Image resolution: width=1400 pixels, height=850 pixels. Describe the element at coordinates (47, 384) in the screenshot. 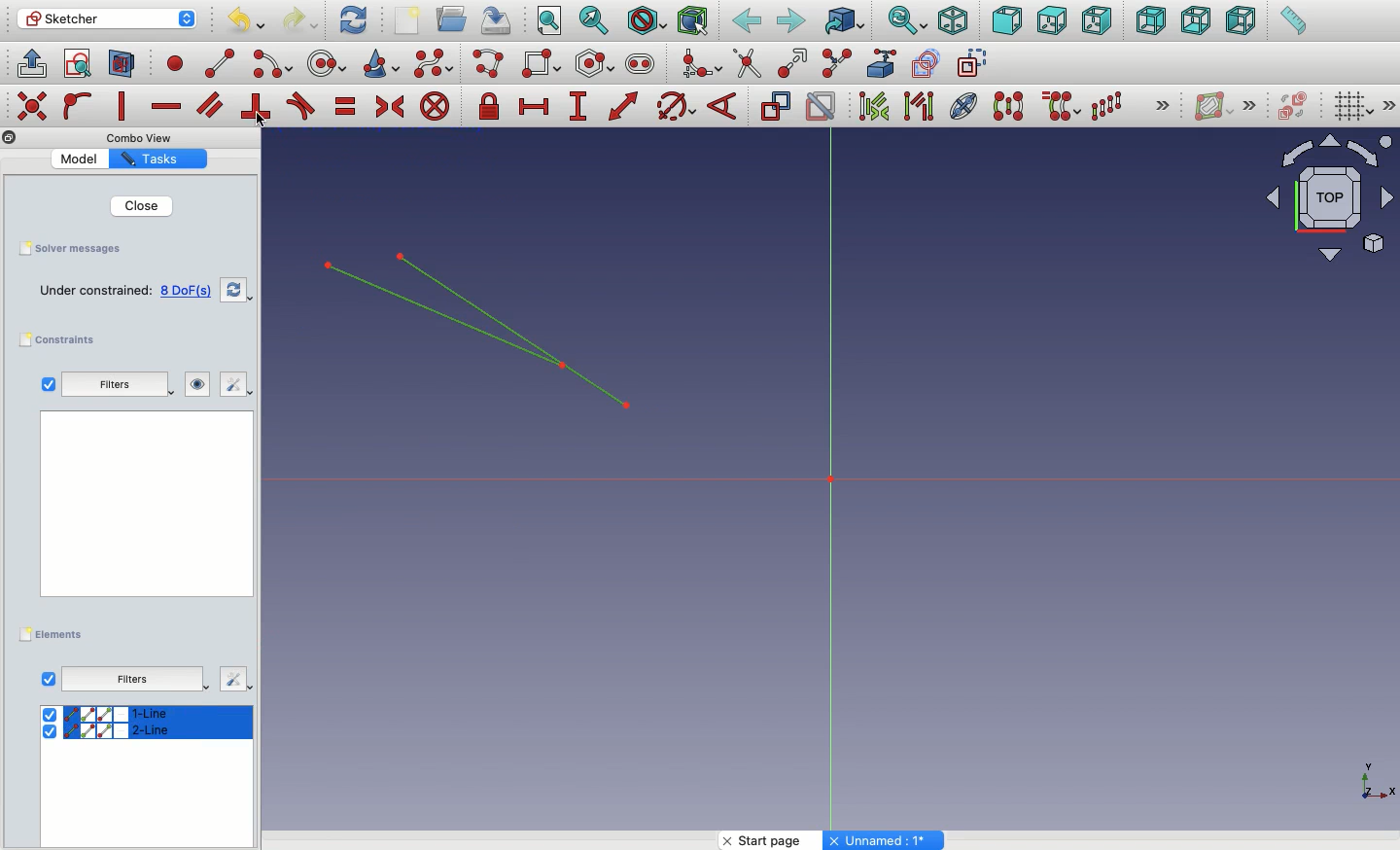

I see `Checkbox` at that location.